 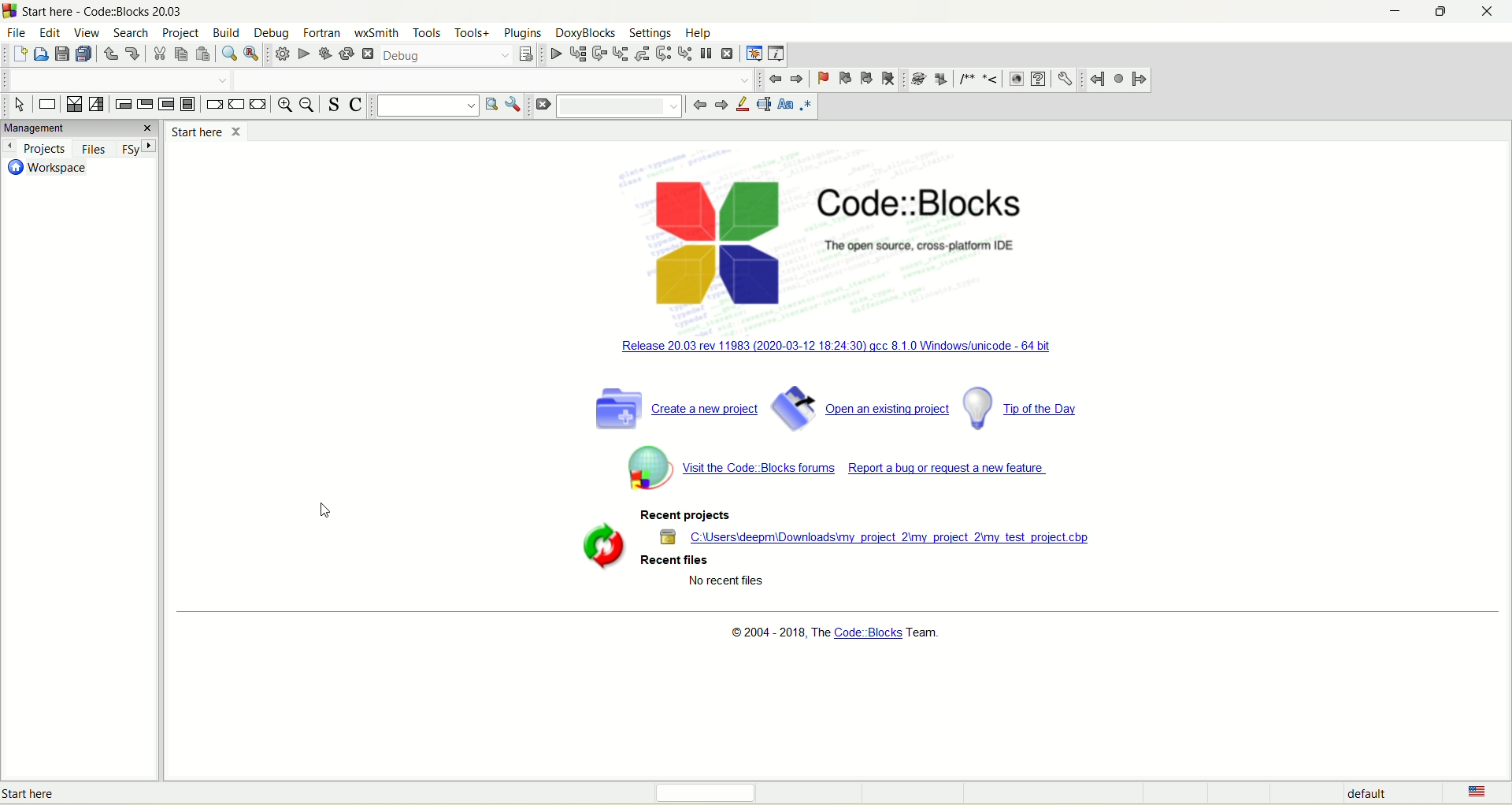 I want to click on last jump, so click(x=1119, y=78).